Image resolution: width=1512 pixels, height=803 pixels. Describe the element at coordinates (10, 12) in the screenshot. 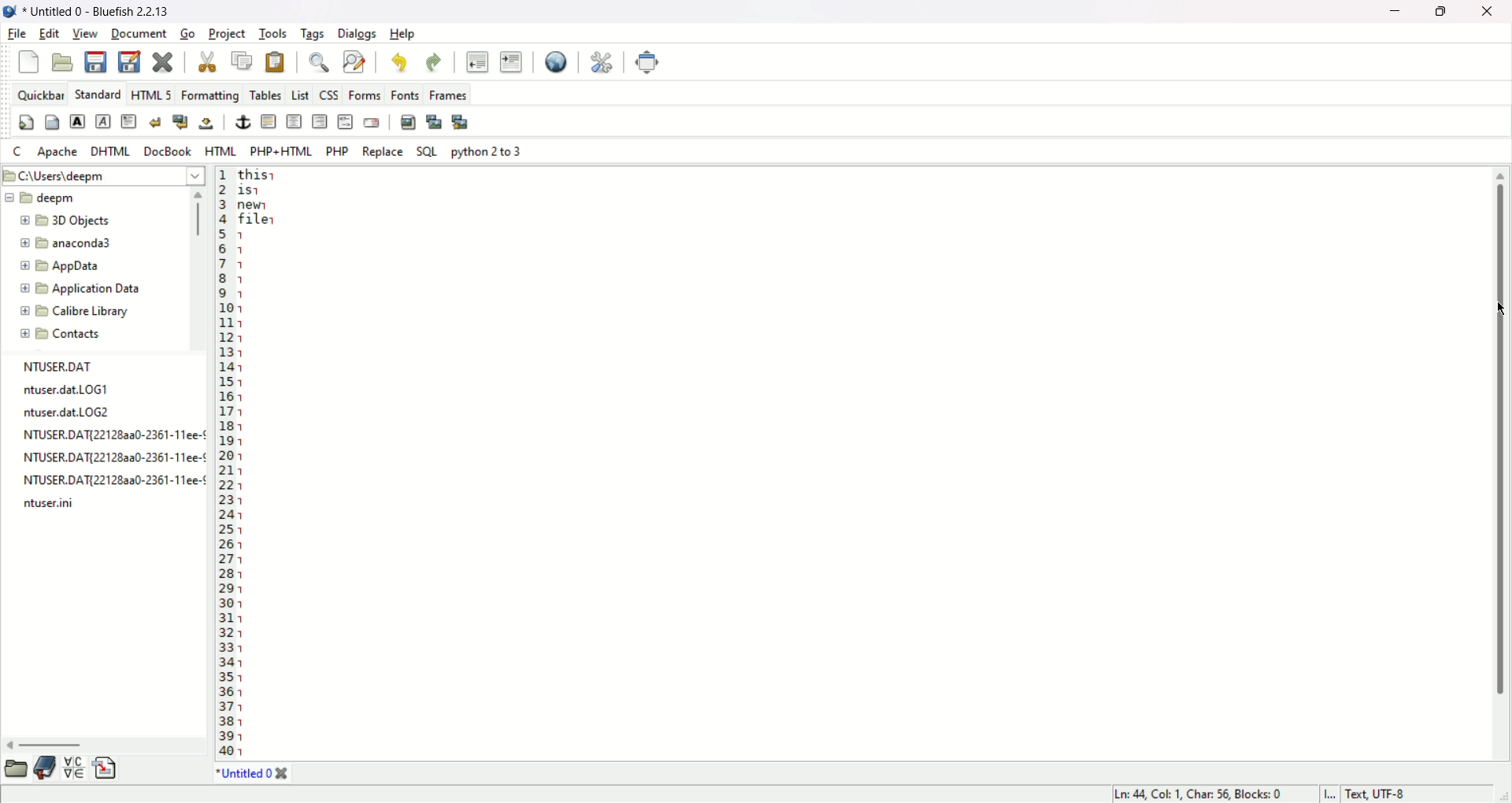

I see `application icon` at that location.